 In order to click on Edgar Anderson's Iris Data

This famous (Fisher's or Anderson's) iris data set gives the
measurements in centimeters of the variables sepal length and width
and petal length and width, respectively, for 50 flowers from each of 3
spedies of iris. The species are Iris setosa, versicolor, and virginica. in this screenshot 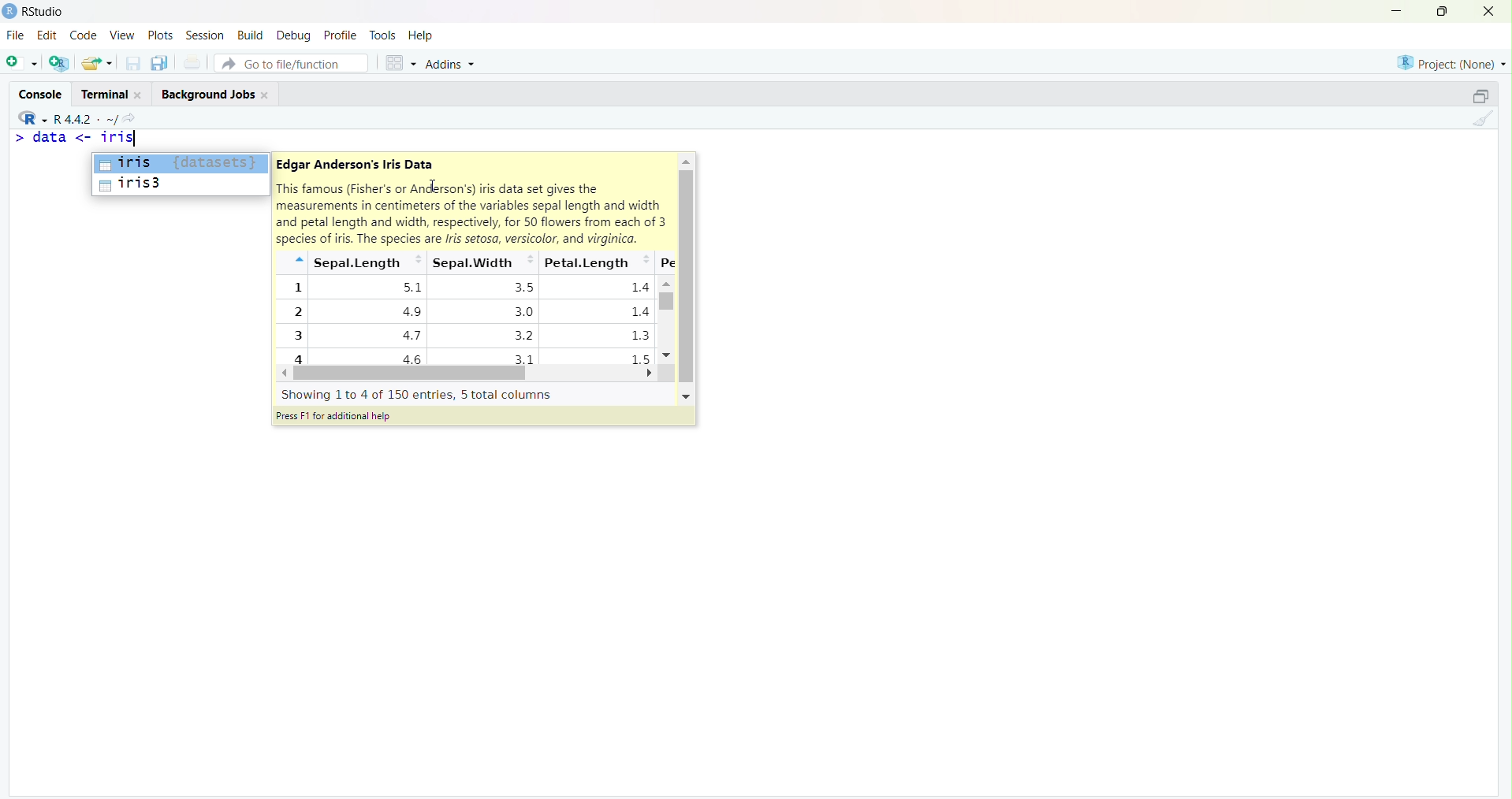, I will do `click(471, 200)`.